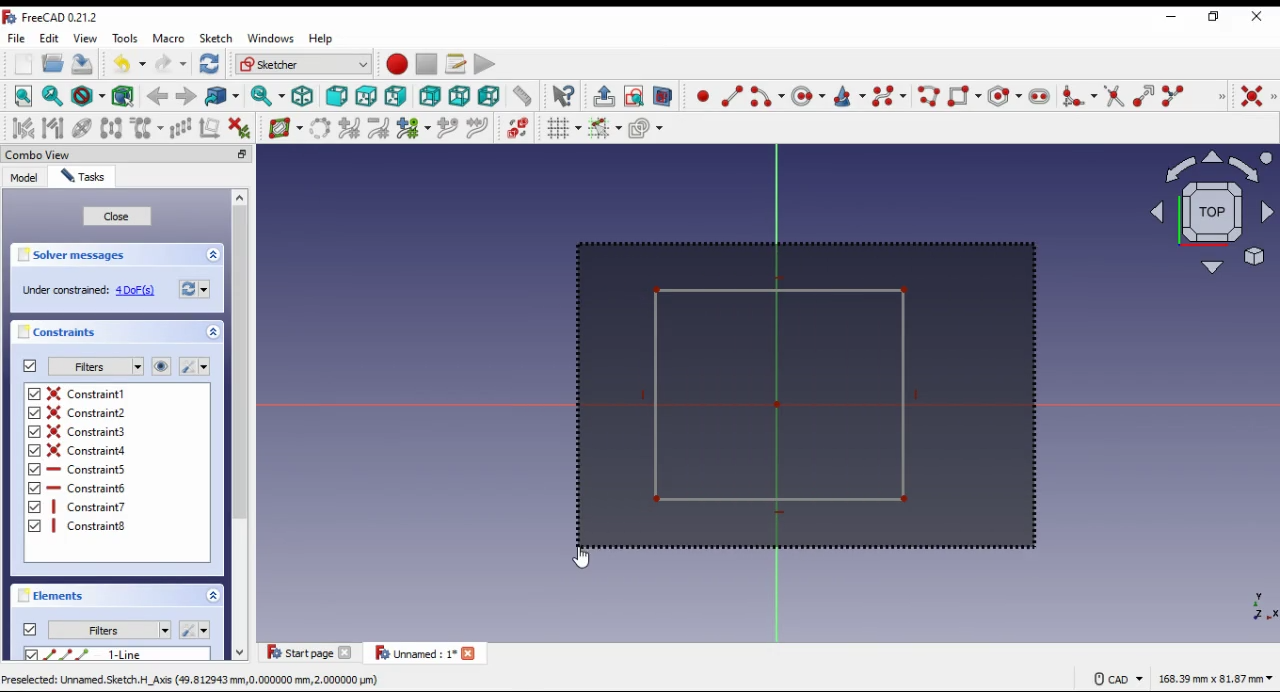  What do you see at coordinates (31, 655) in the screenshot?
I see `checkbox` at bounding box center [31, 655].